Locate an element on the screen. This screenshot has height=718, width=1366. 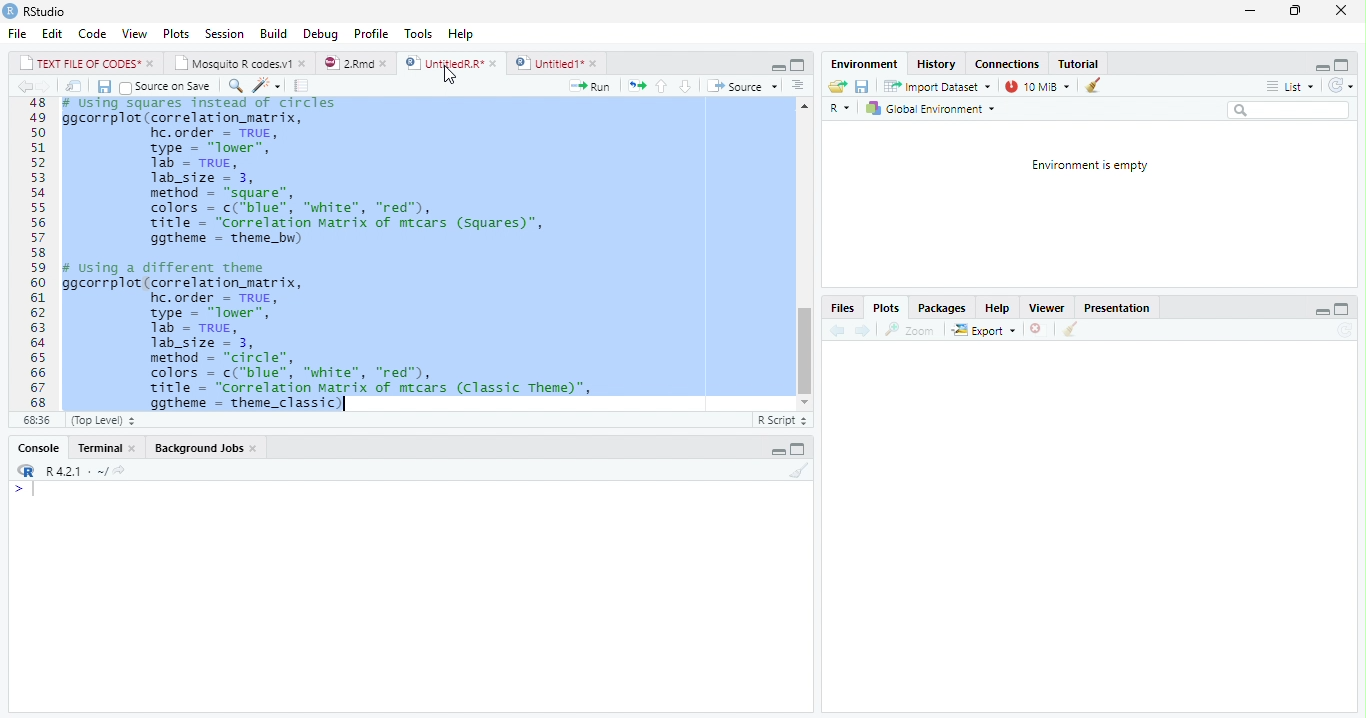
2rmd is located at coordinates (356, 62).